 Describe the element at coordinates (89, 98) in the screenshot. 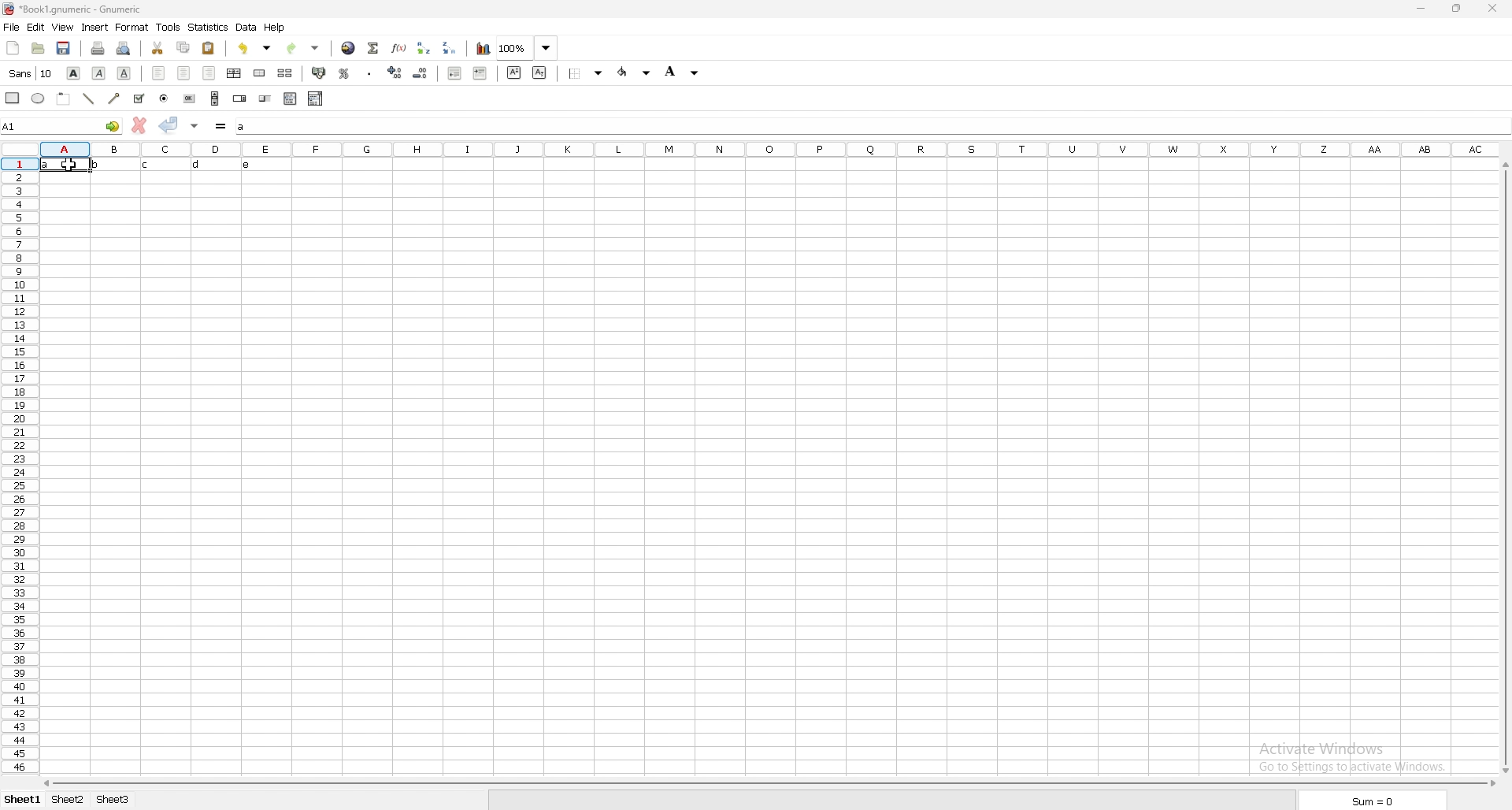

I see `line` at that location.